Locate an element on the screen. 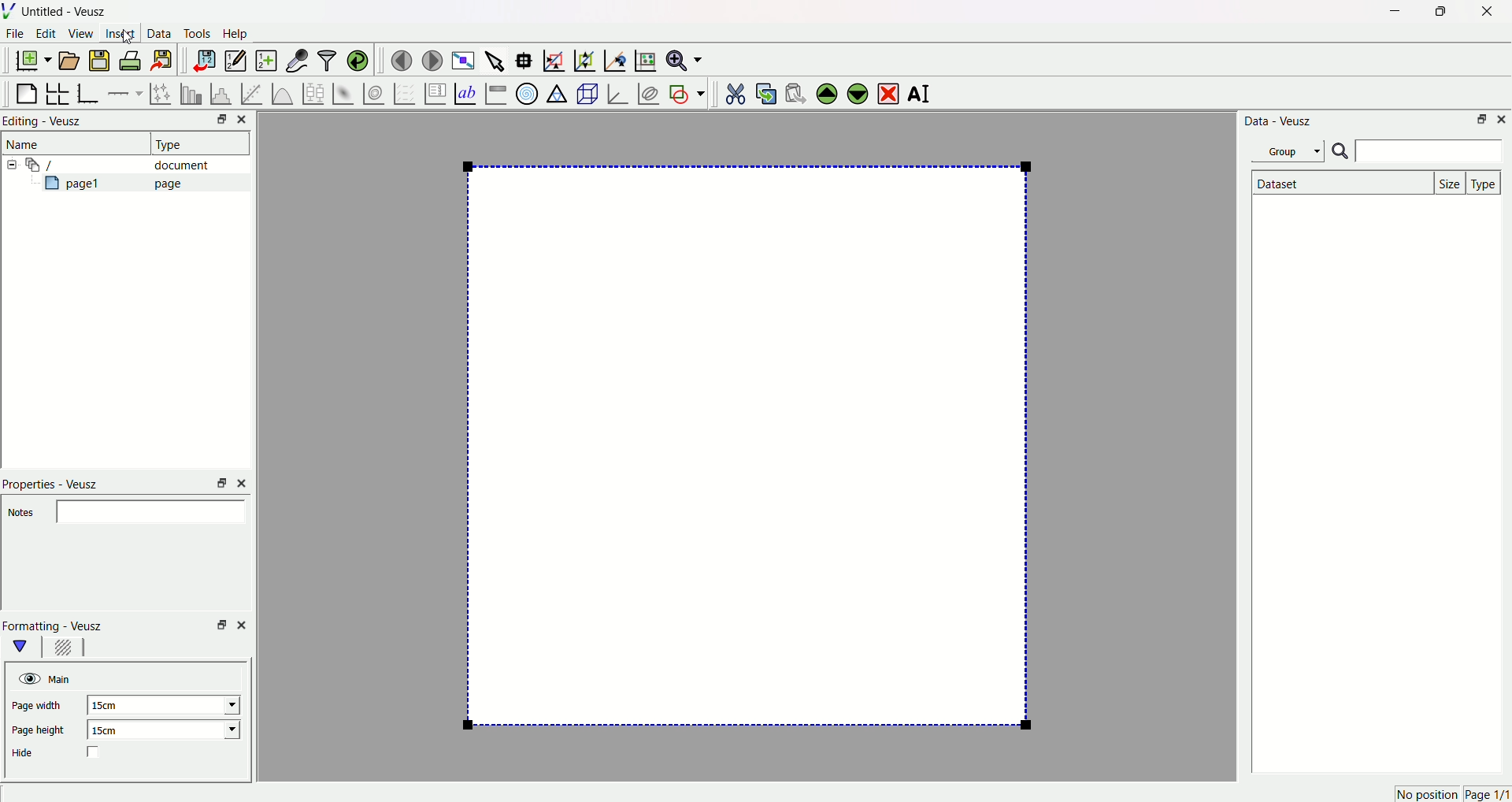 The image size is (1512, 802). 15cm is located at coordinates (168, 730).